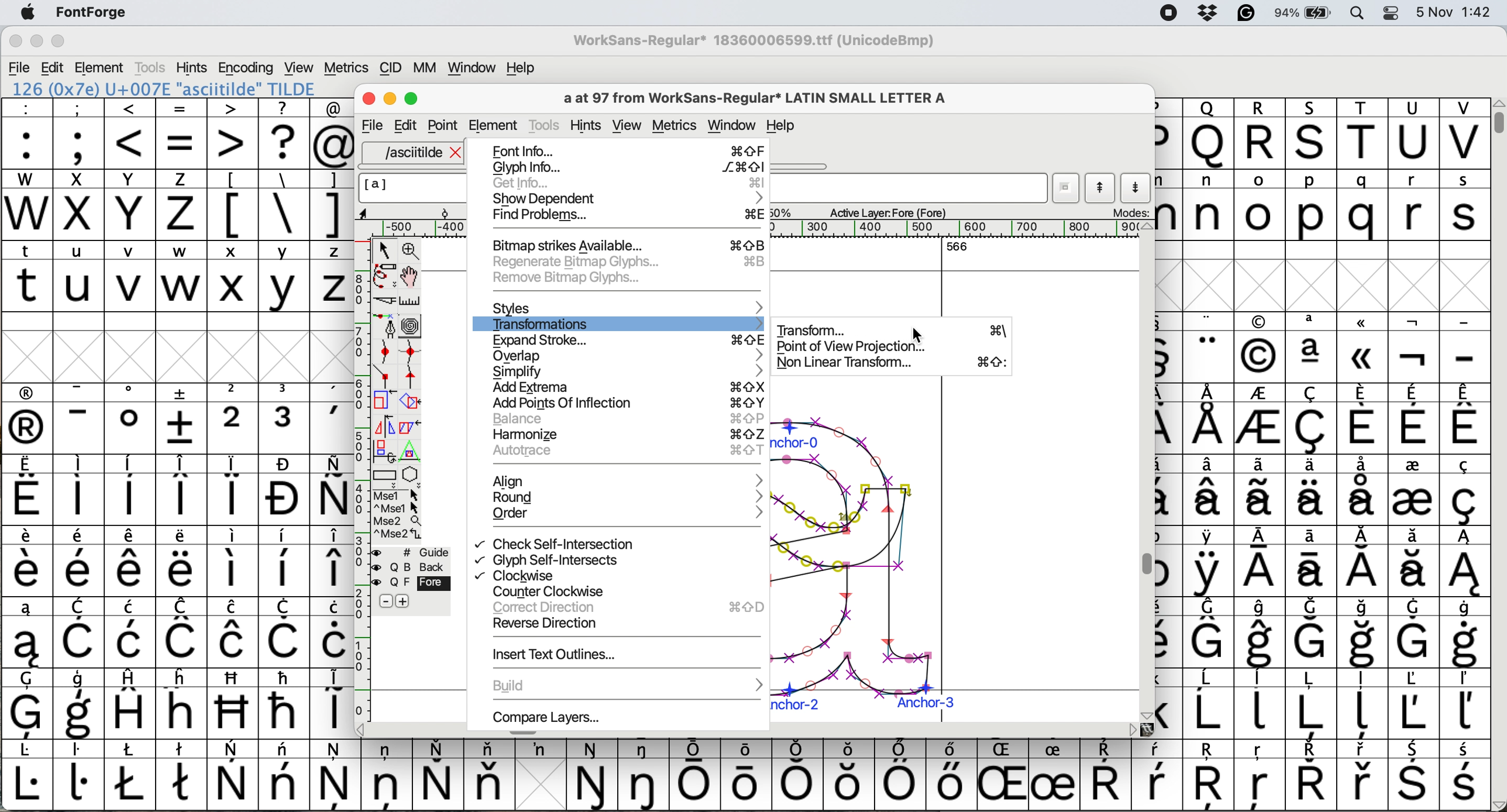 The image size is (1507, 812). Describe the element at coordinates (1138, 187) in the screenshot. I see `show next letter` at that location.